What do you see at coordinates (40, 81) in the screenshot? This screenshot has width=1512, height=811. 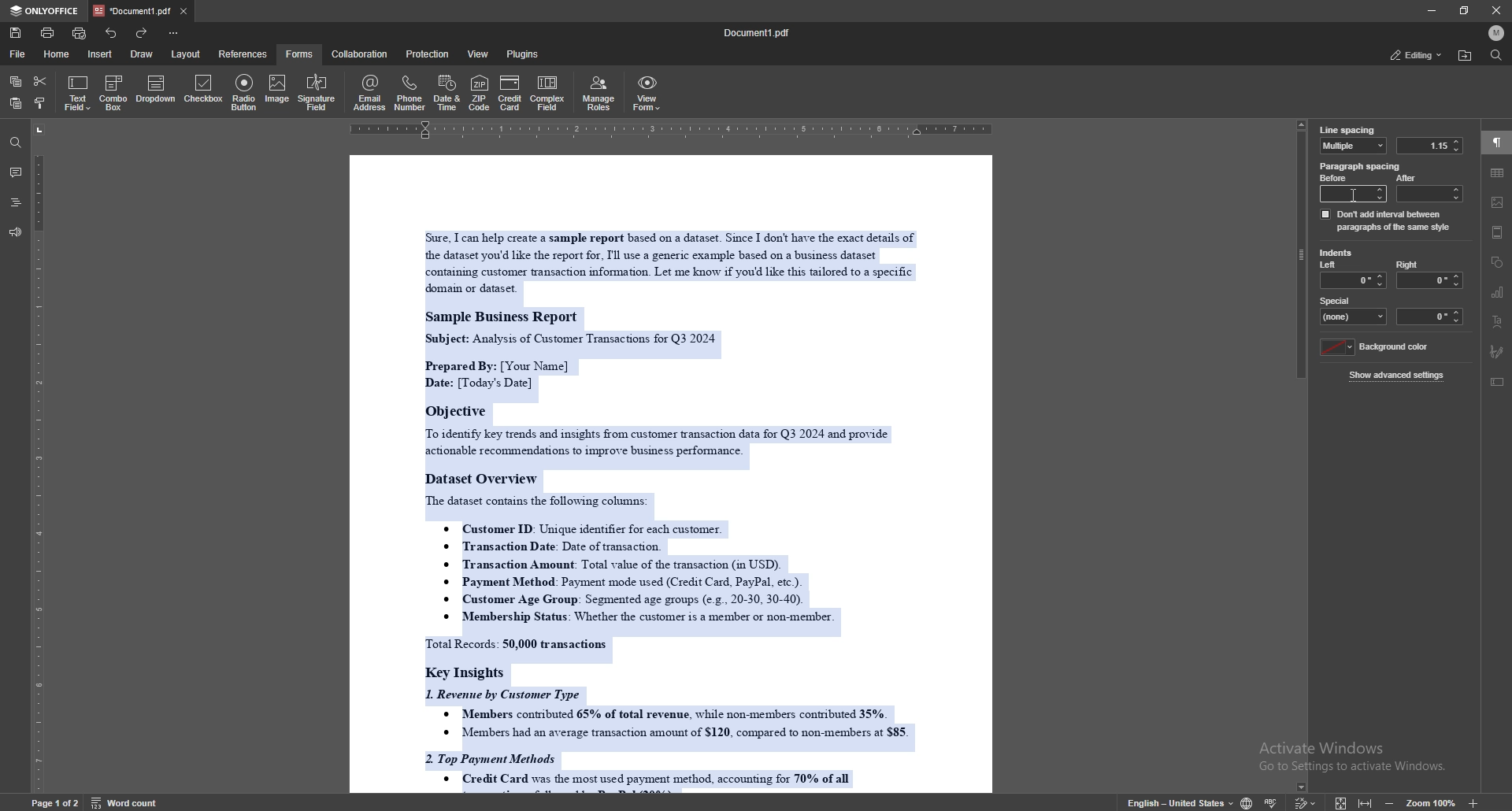 I see `cut` at bounding box center [40, 81].